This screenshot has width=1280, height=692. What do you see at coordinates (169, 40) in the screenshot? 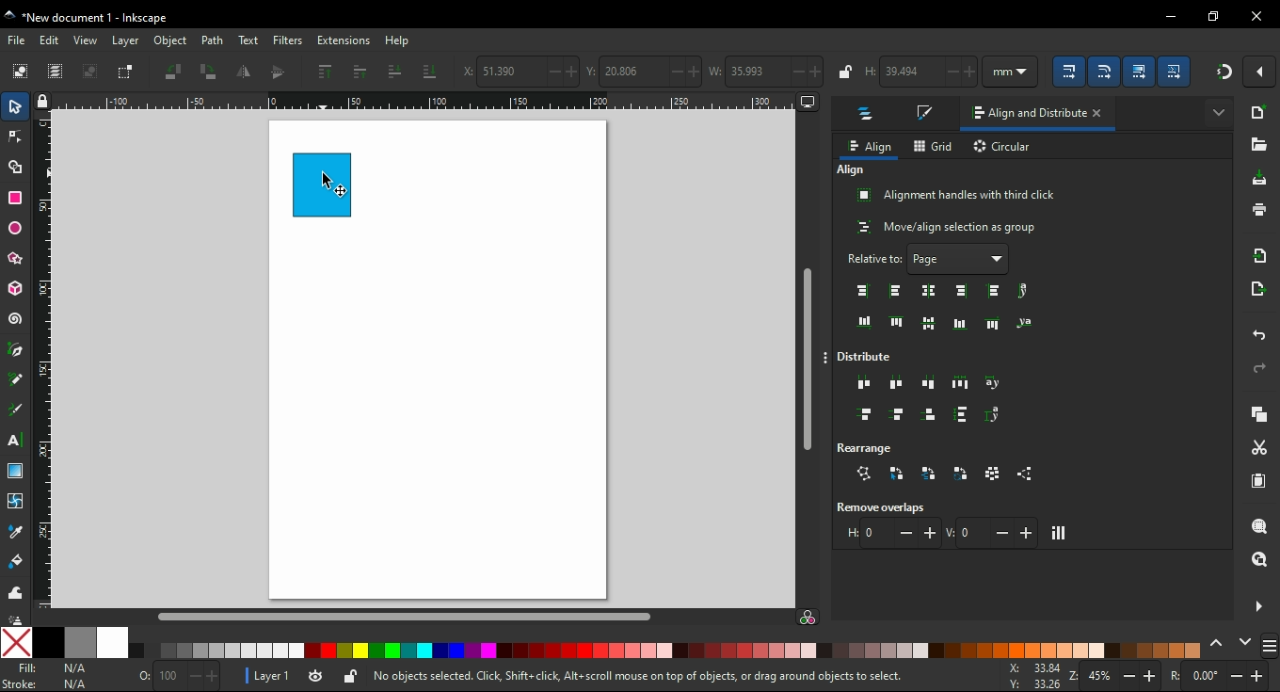
I see `object` at bounding box center [169, 40].